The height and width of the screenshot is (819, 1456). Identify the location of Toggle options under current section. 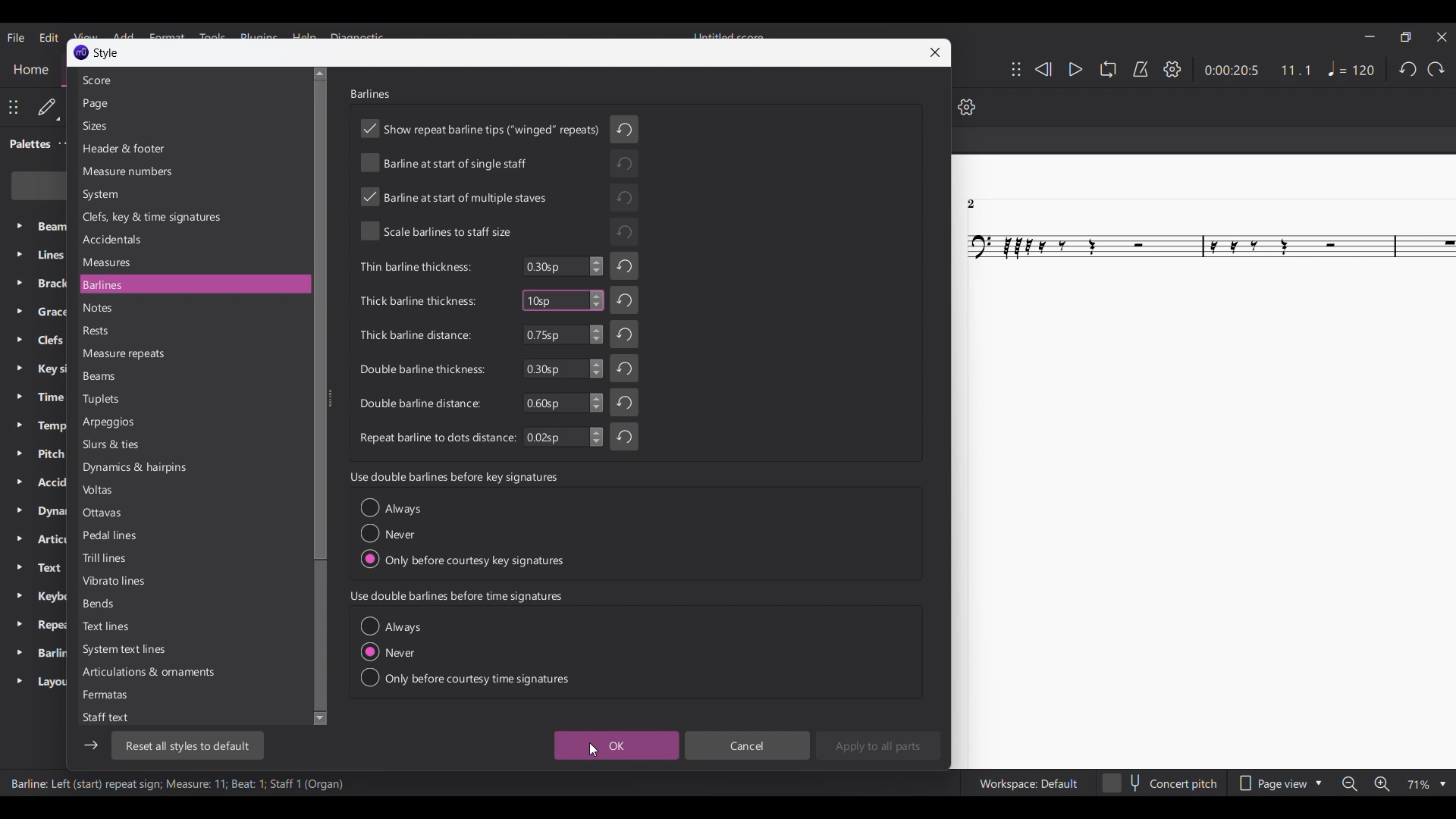
(465, 652).